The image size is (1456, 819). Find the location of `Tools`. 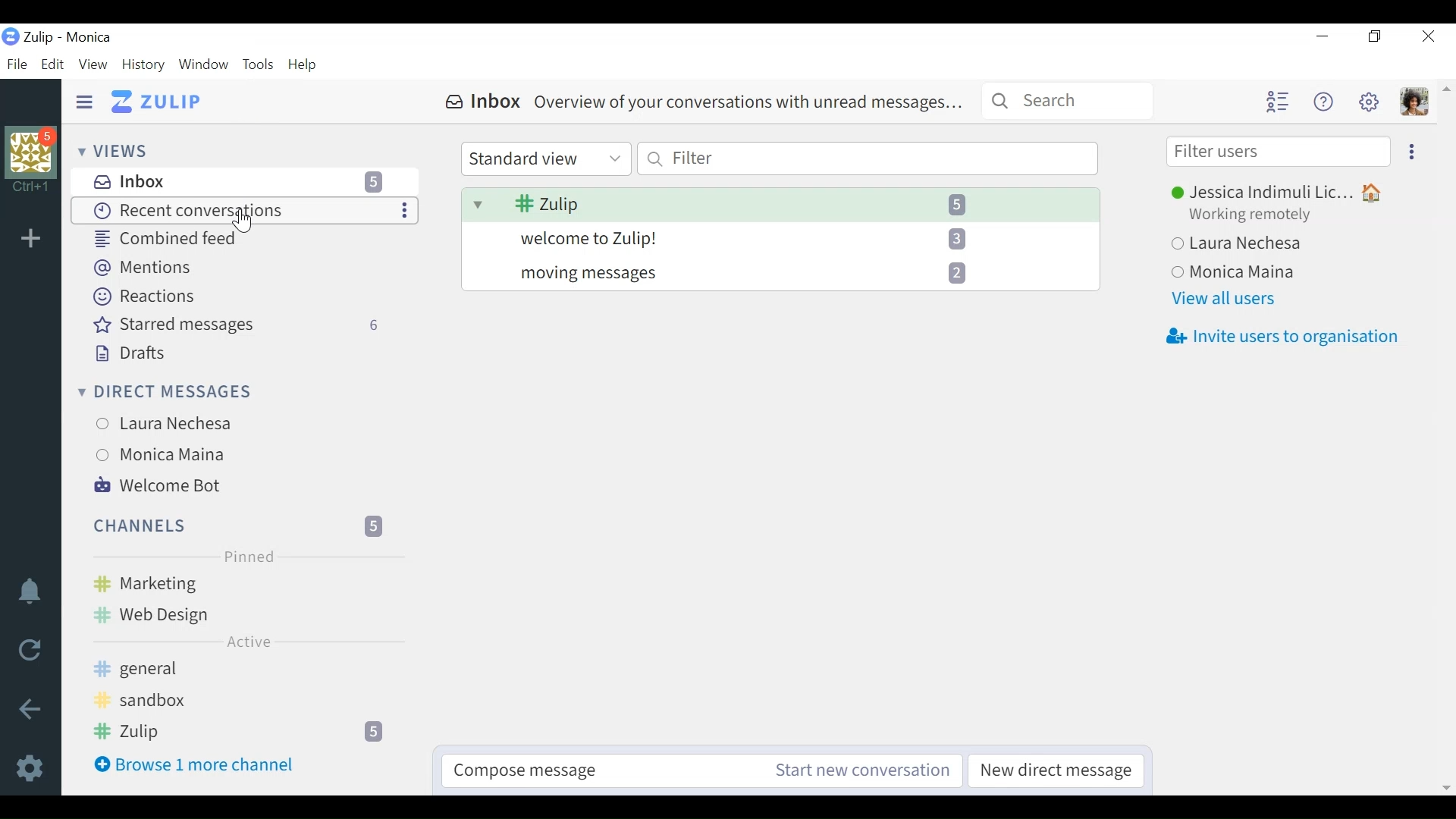

Tools is located at coordinates (259, 64).